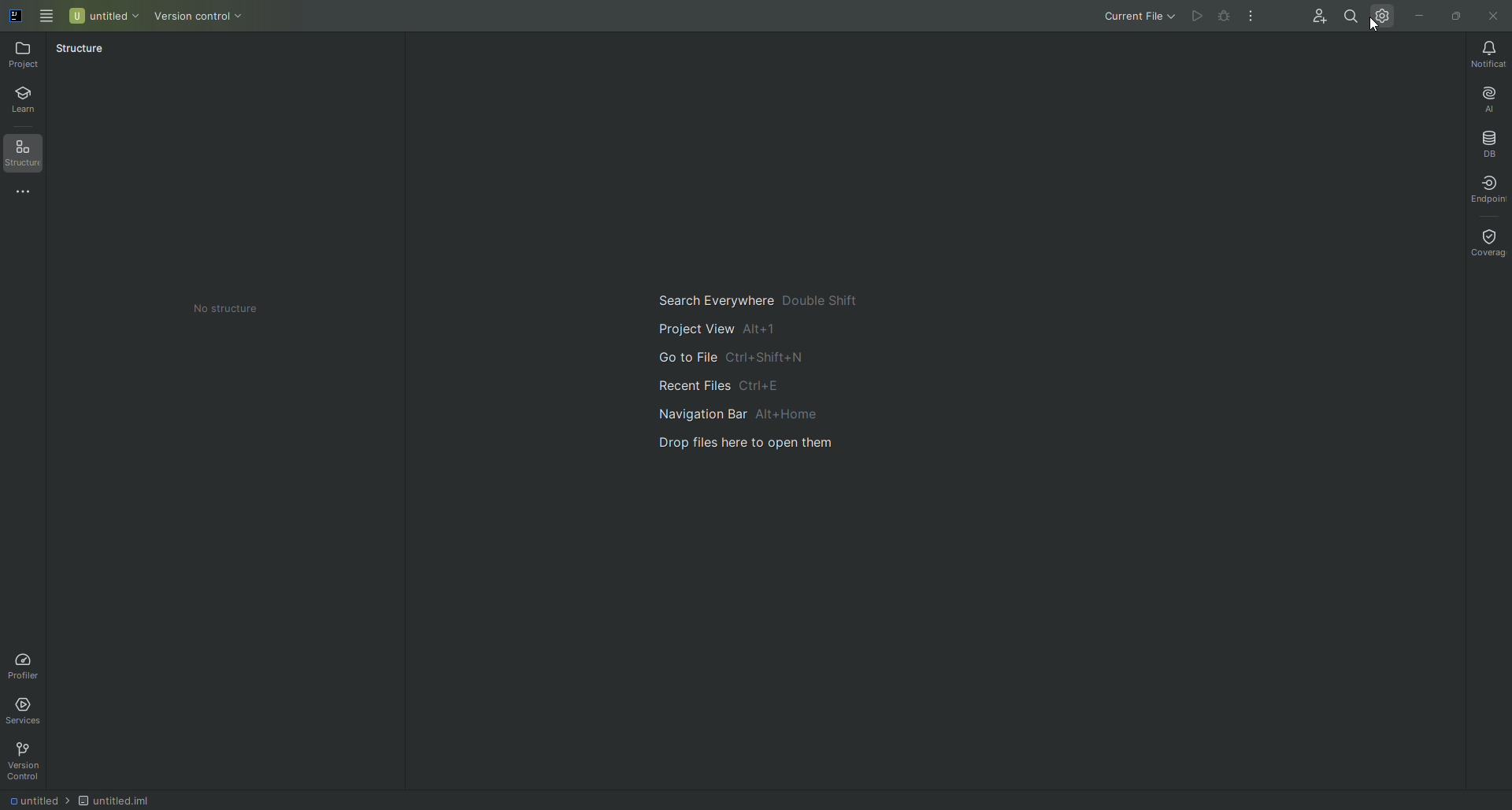 The width and height of the screenshot is (1512, 810). Describe the element at coordinates (80, 801) in the screenshot. I see `file path` at that location.